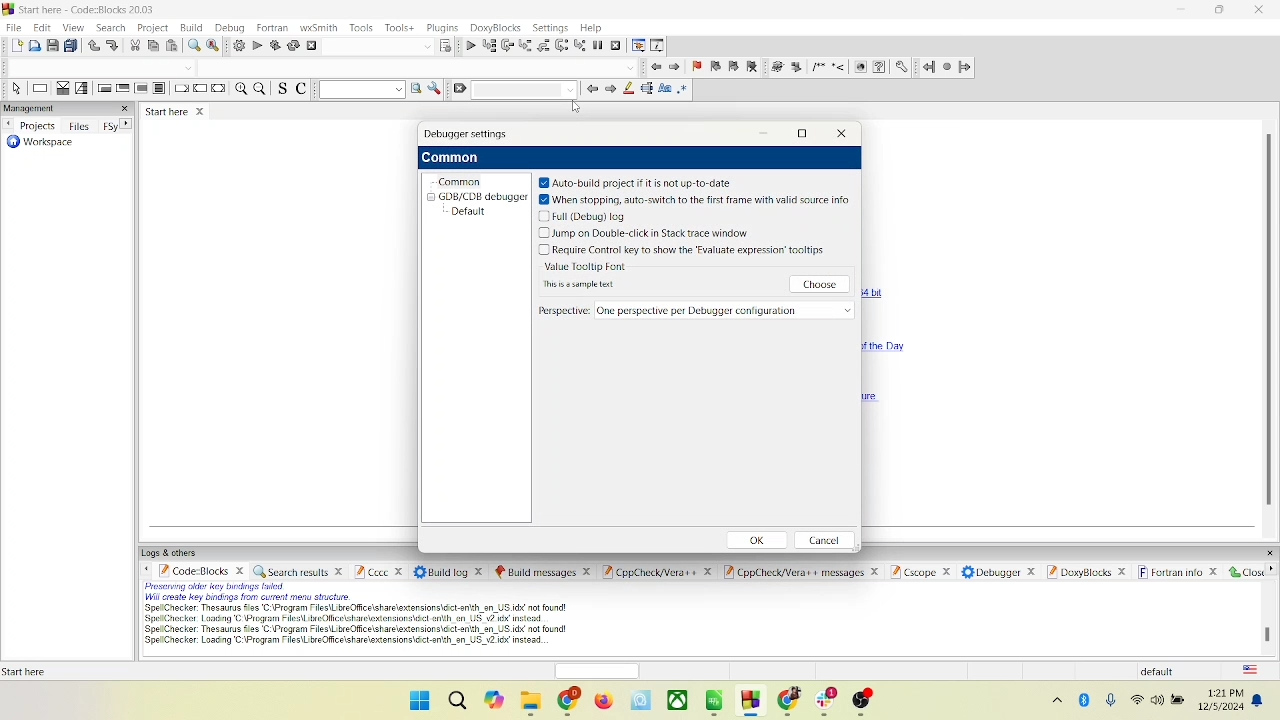  What do you see at coordinates (1180, 11) in the screenshot?
I see `minimize` at bounding box center [1180, 11].